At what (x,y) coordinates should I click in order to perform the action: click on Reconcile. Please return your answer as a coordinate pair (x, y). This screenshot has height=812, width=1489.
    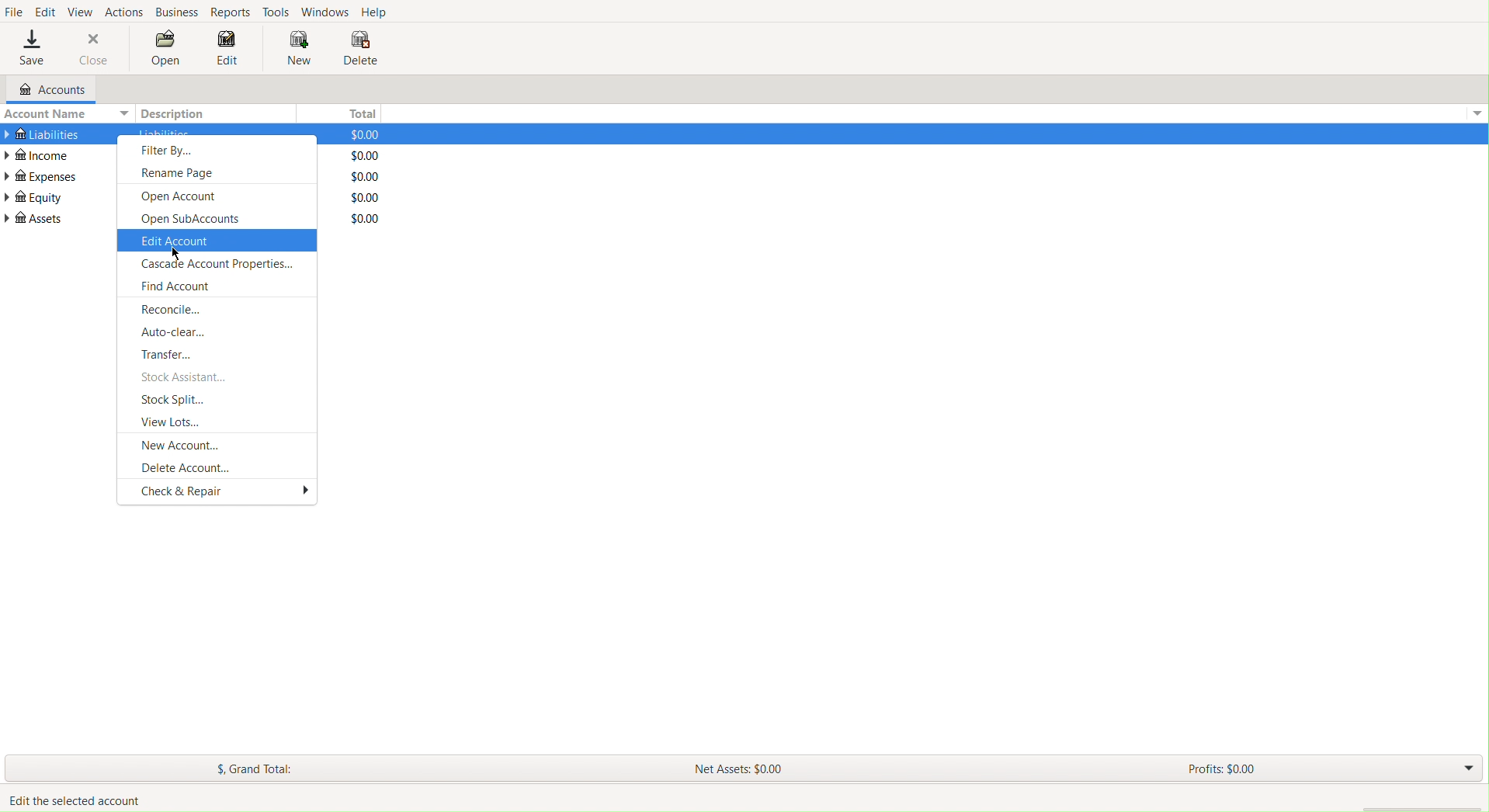
    Looking at the image, I should click on (175, 309).